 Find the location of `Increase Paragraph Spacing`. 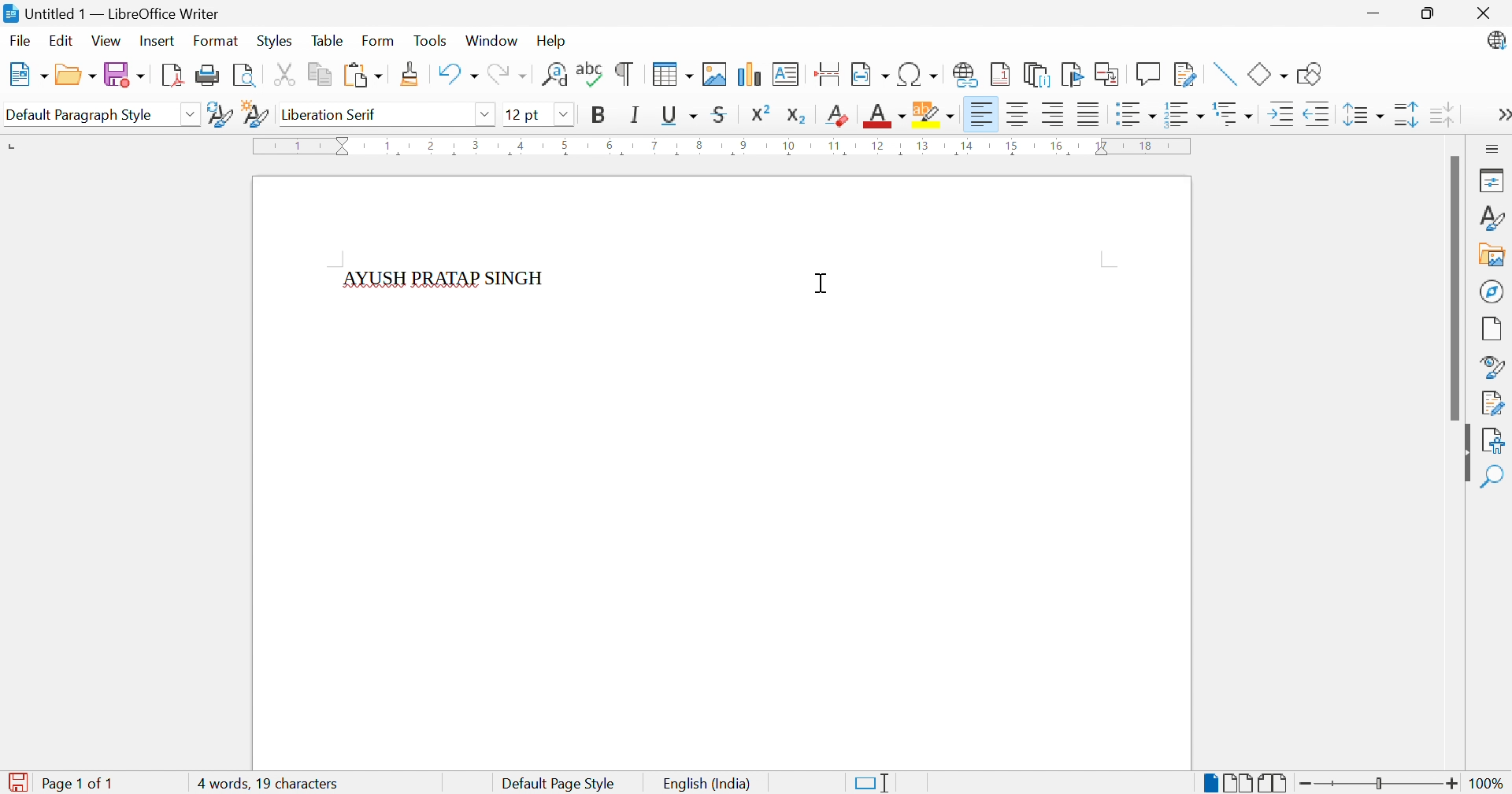

Increase Paragraph Spacing is located at coordinates (1405, 113).